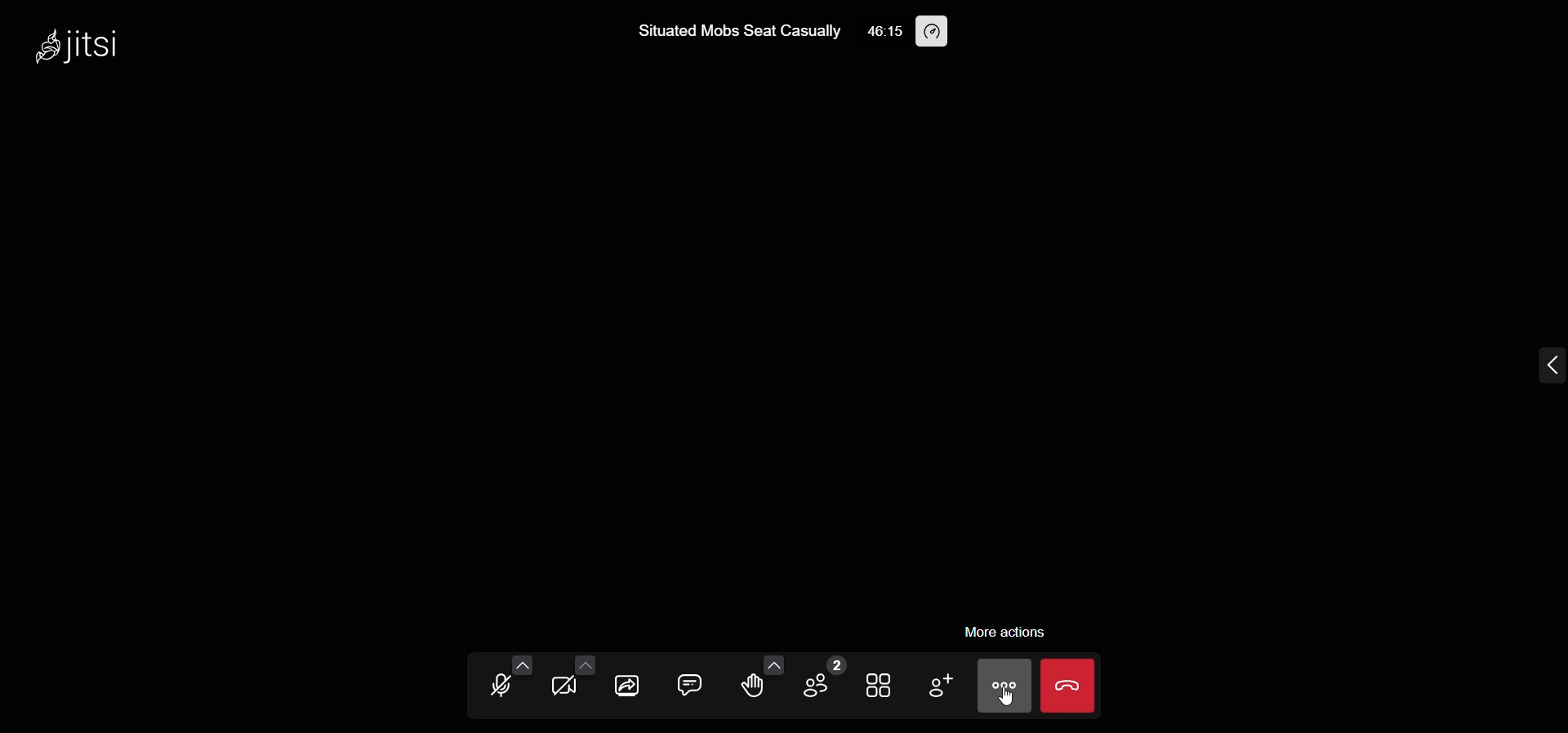 Image resolution: width=1568 pixels, height=733 pixels. Describe the element at coordinates (520, 664) in the screenshot. I see `more audio option` at that location.